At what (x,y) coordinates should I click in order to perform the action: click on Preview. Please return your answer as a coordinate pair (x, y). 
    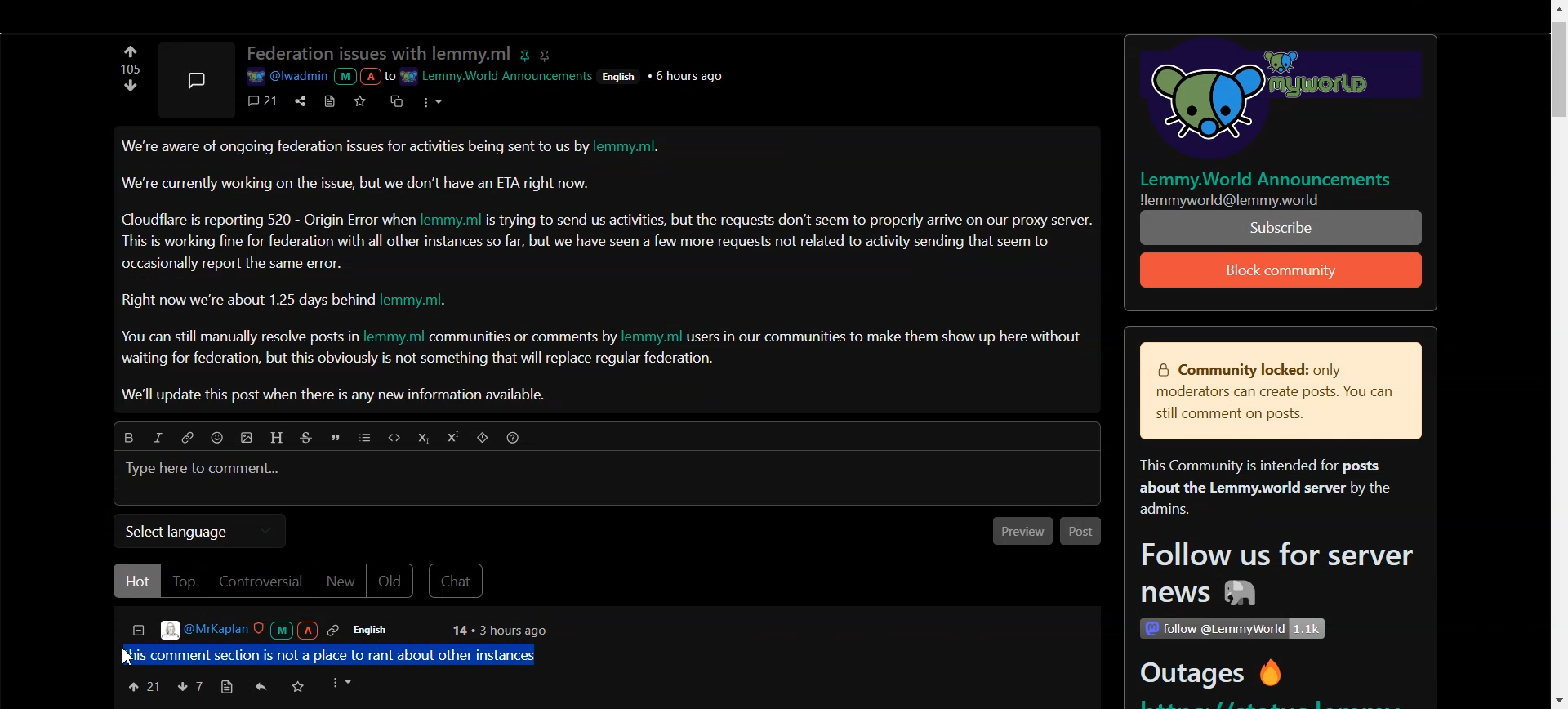
    Looking at the image, I should click on (1018, 533).